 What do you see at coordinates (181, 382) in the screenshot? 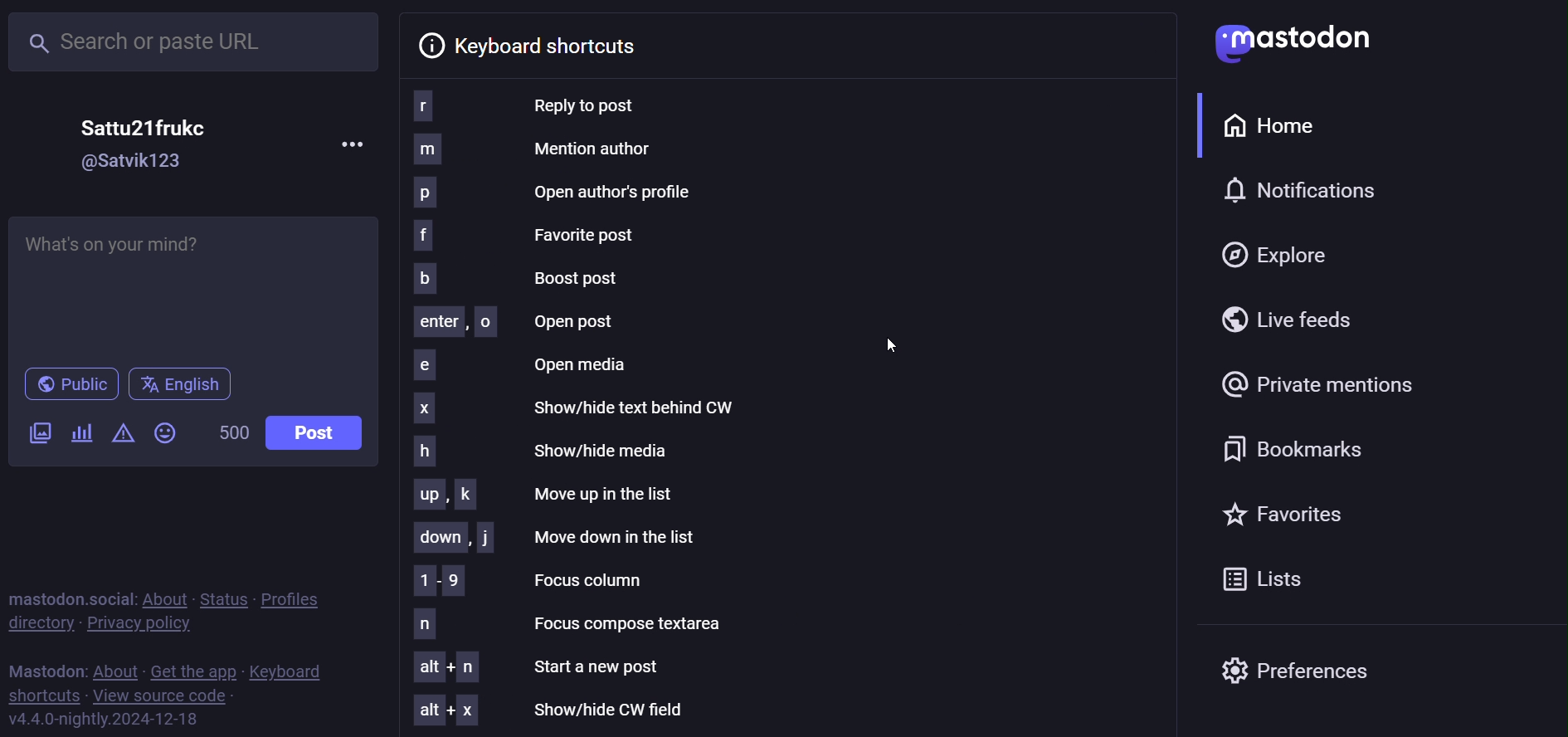
I see `english` at bounding box center [181, 382].